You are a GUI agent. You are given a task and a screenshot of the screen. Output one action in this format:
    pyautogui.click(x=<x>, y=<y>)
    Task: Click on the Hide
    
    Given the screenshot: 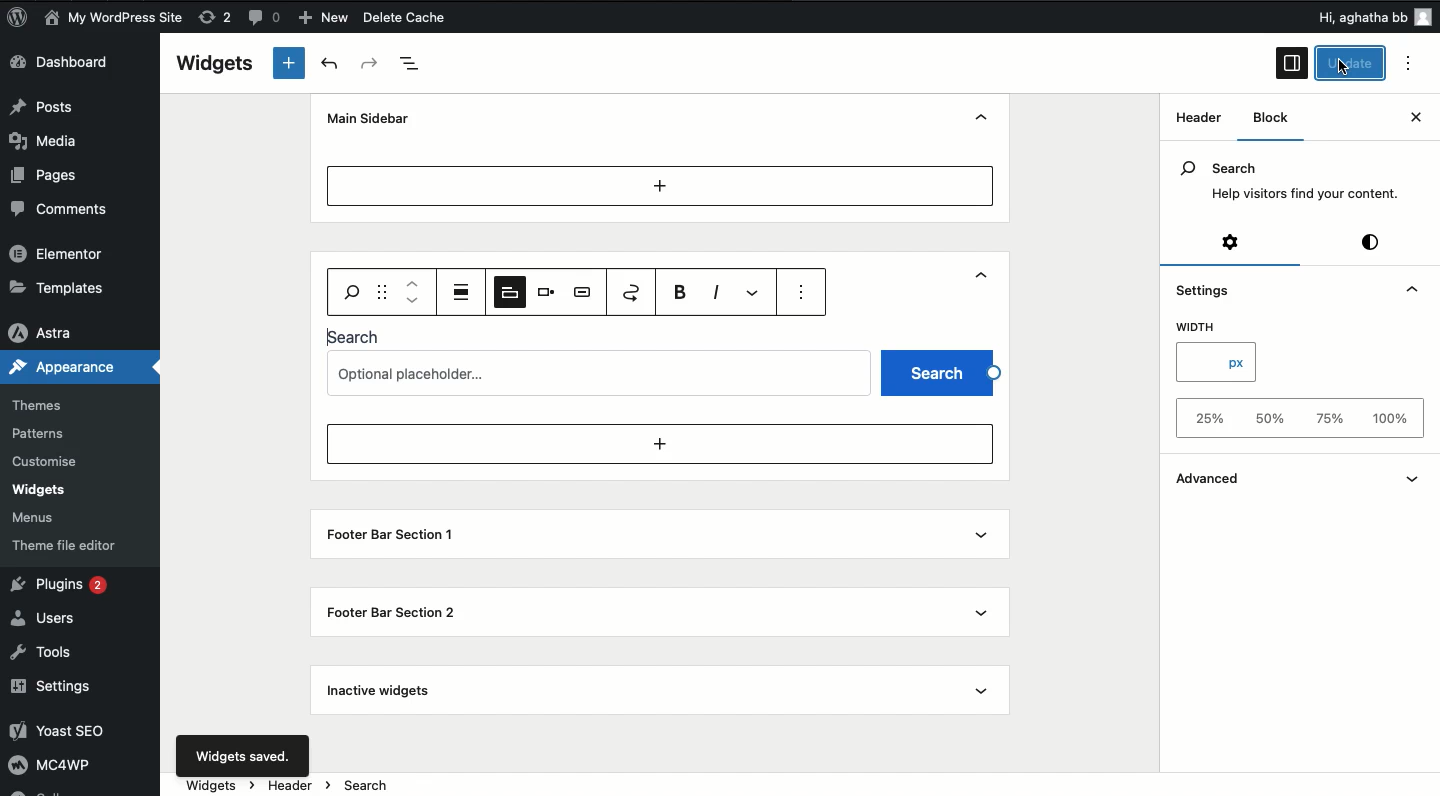 What is the action you would take?
    pyautogui.click(x=985, y=117)
    